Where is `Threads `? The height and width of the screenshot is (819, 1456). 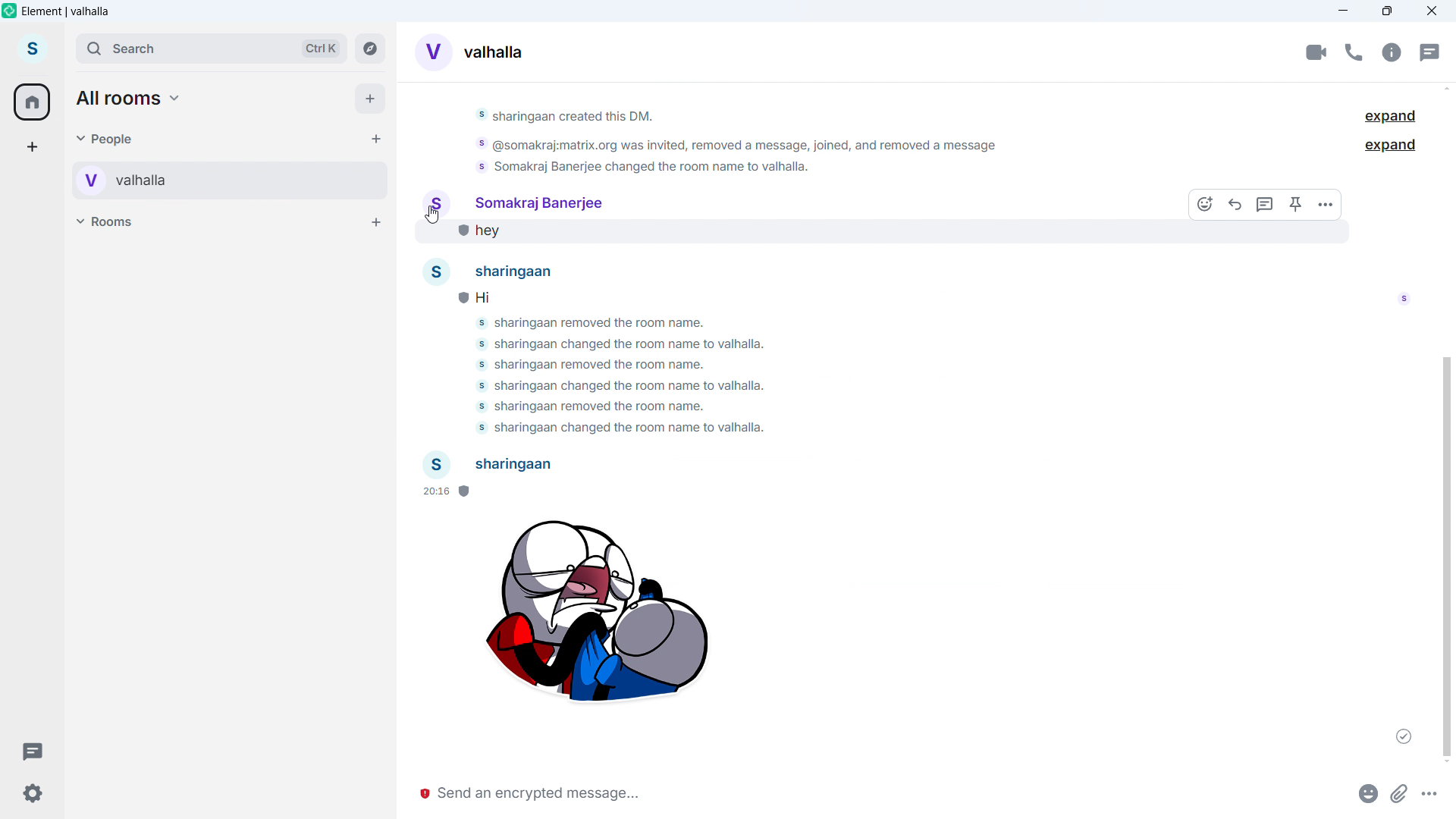
Threads  is located at coordinates (1428, 52).